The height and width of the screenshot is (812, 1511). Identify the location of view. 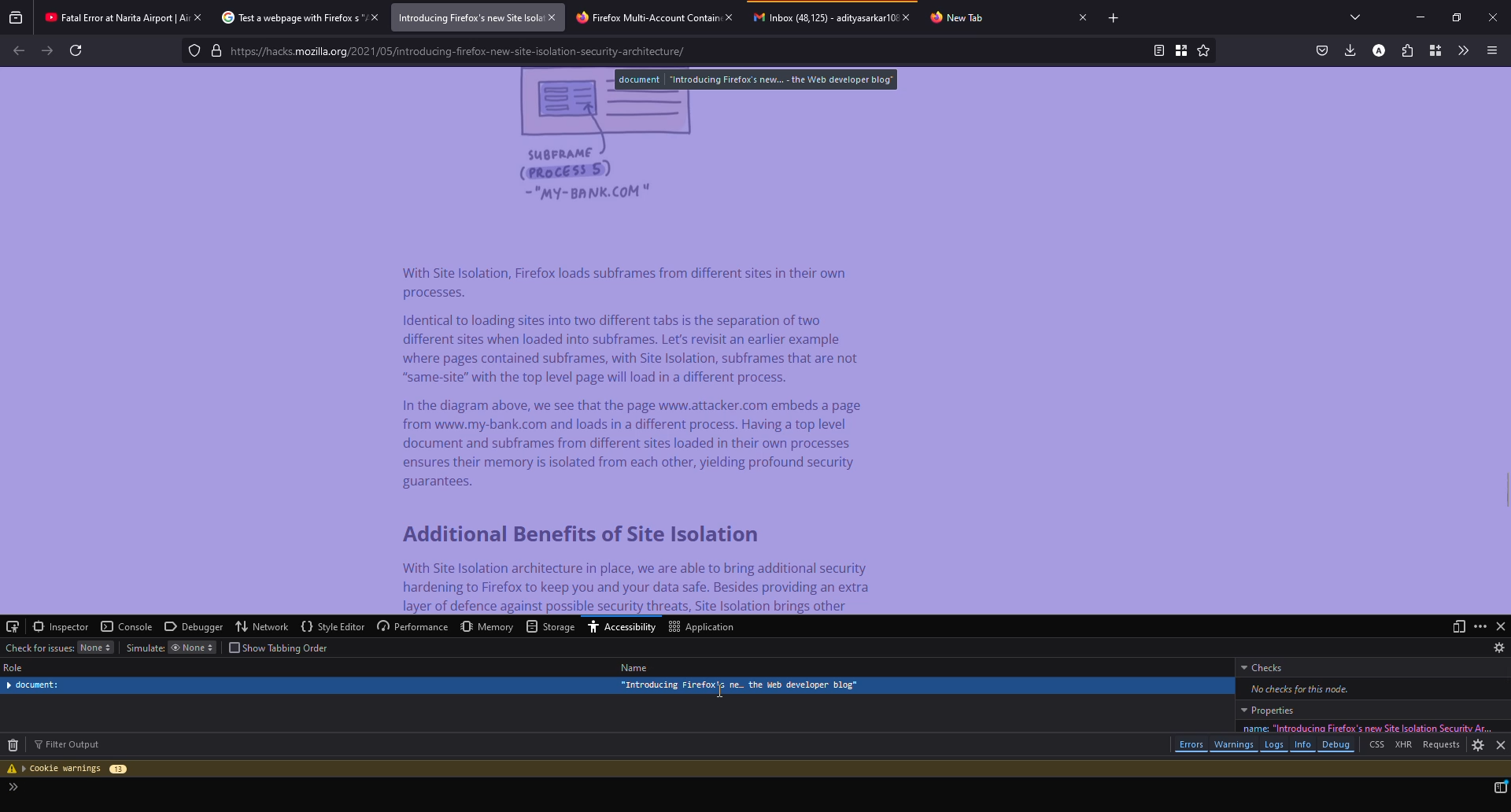
(1457, 626).